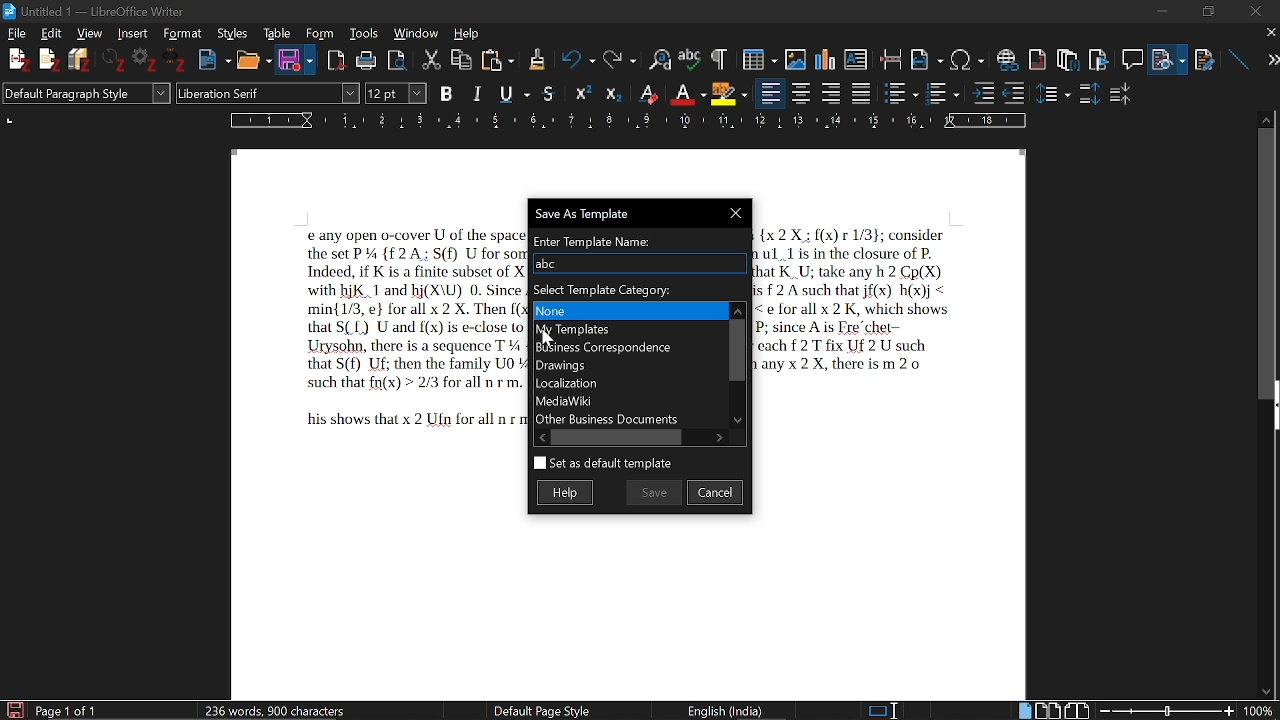  I want to click on View, so click(87, 33).